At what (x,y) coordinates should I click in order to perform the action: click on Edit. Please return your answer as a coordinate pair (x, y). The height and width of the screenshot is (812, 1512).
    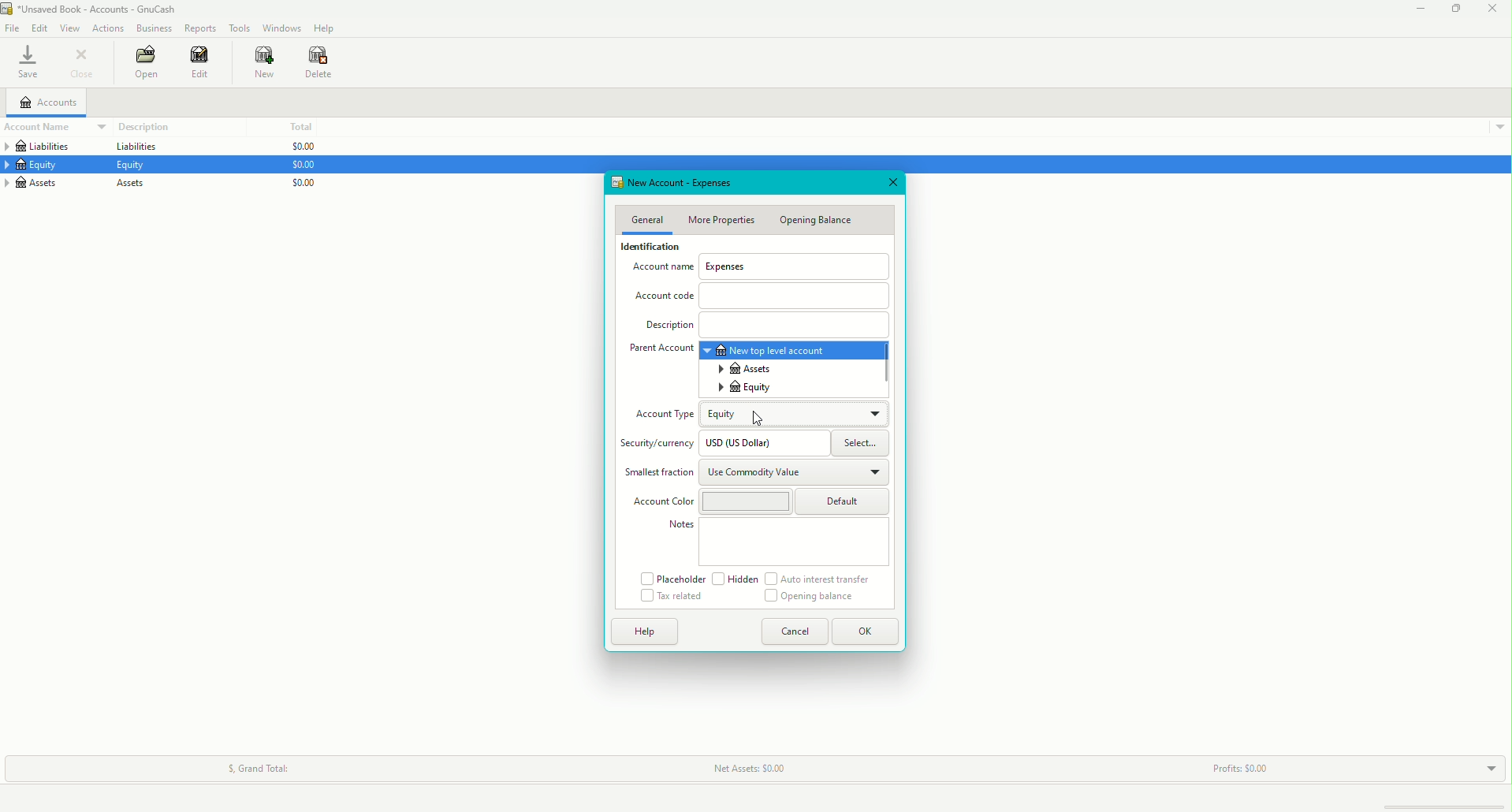
    Looking at the image, I should click on (37, 26).